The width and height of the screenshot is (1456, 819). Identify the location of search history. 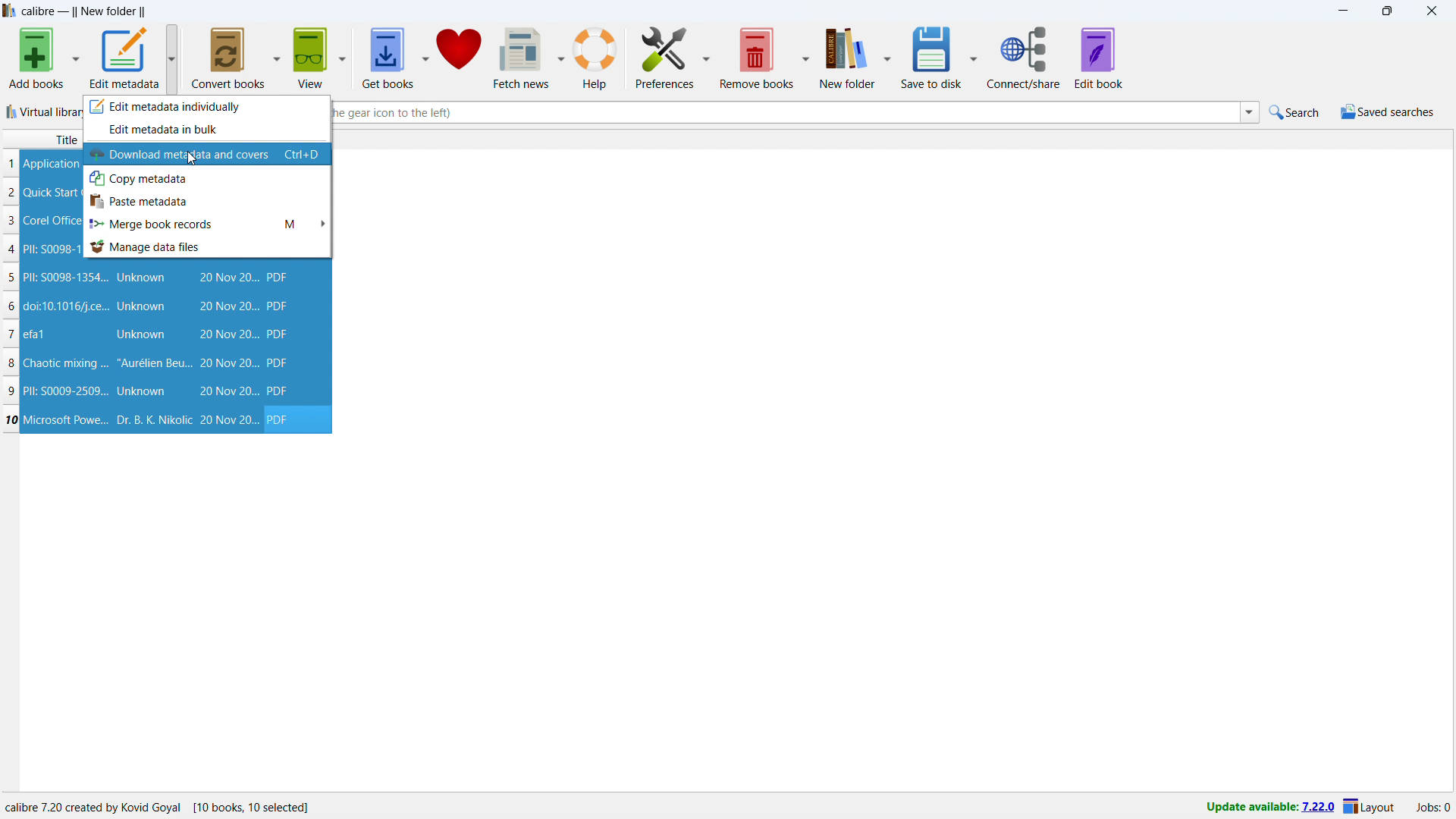
(1249, 113).